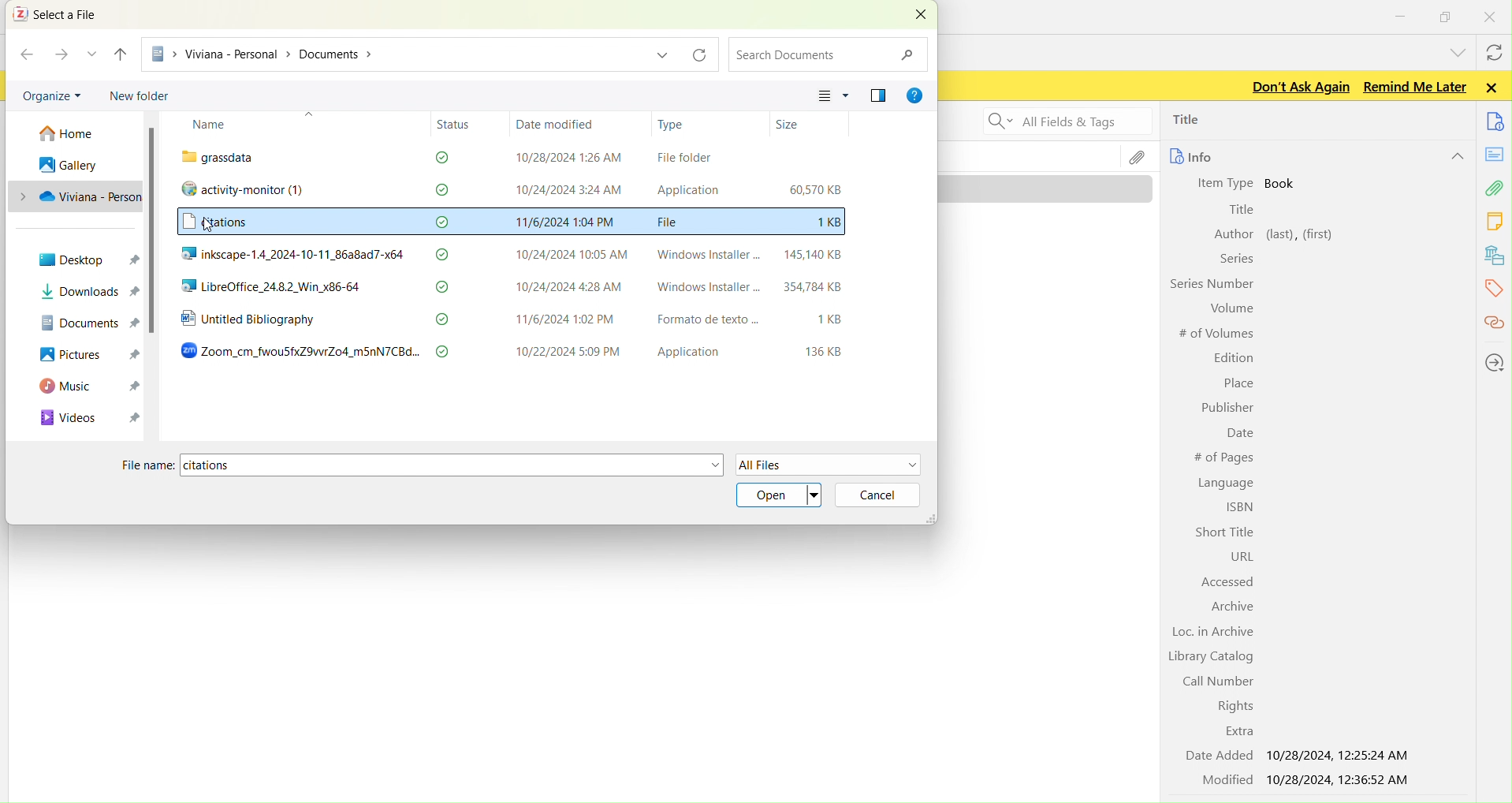 The height and width of the screenshot is (803, 1512). What do you see at coordinates (1239, 383) in the screenshot?
I see `Place` at bounding box center [1239, 383].